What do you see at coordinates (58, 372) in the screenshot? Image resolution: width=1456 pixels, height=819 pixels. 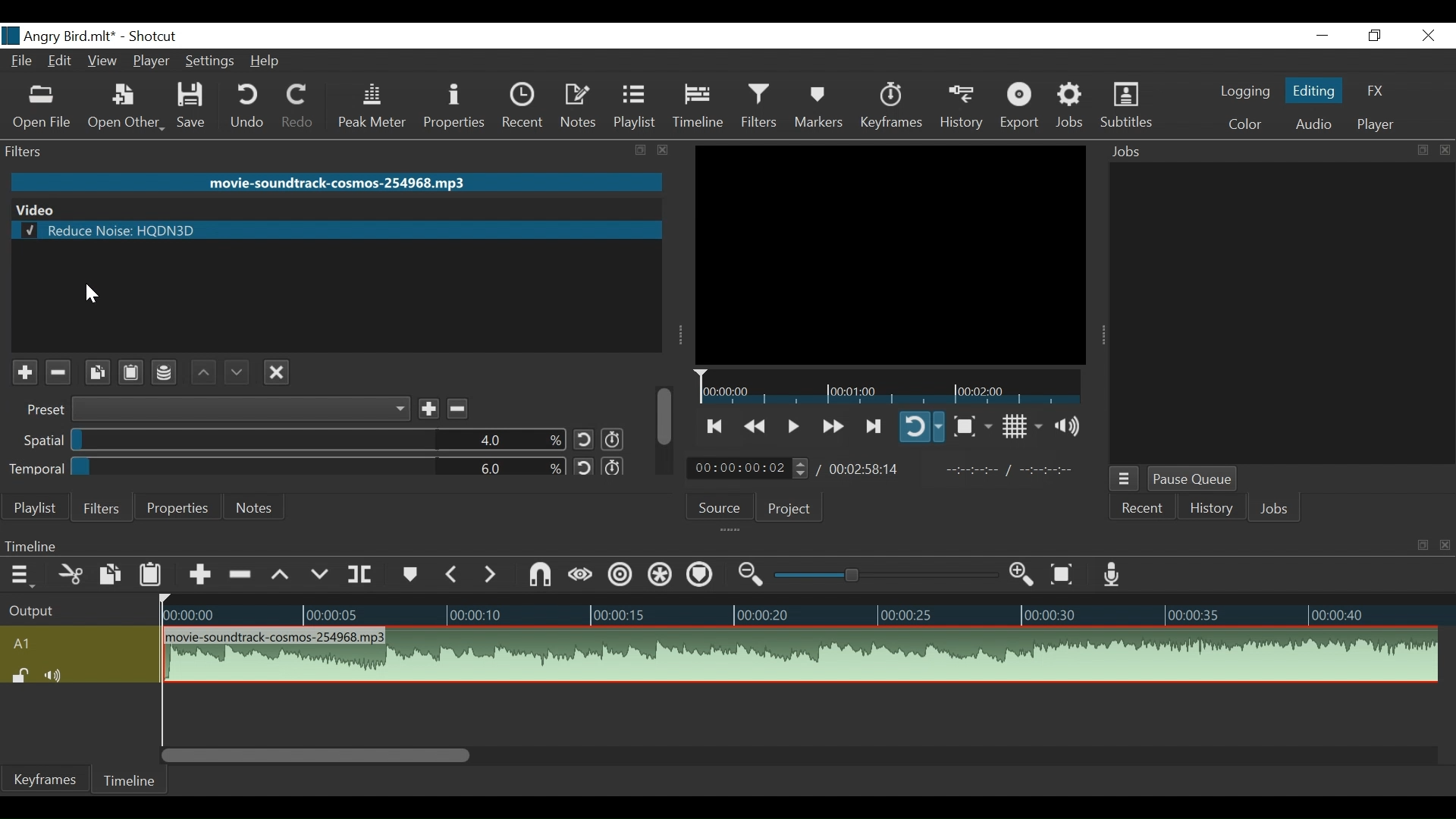 I see `Remove selected filter` at bounding box center [58, 372].